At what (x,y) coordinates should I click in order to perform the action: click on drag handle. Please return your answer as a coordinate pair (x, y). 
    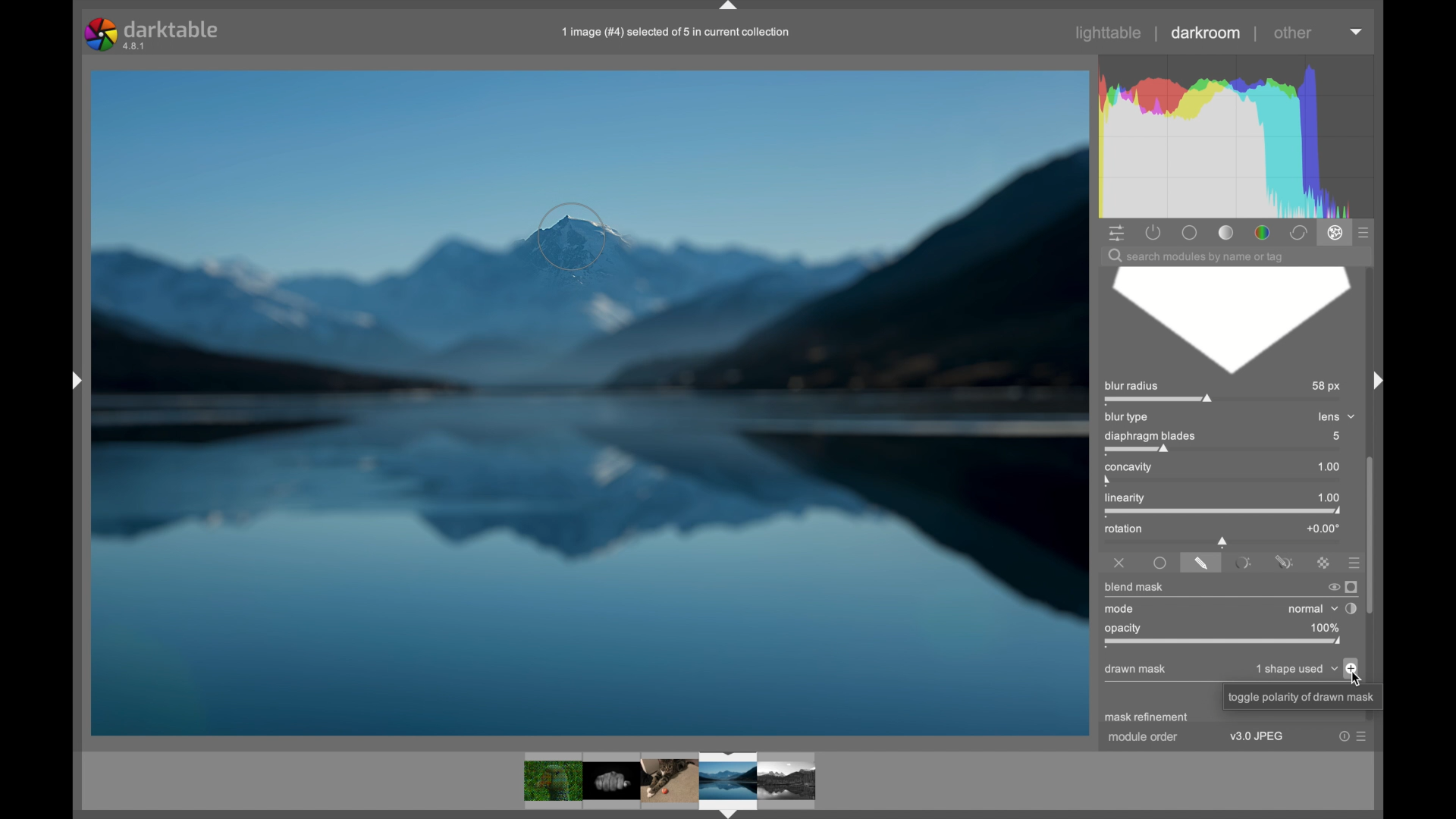
    Looking at the image, I should click on (1373, 379).